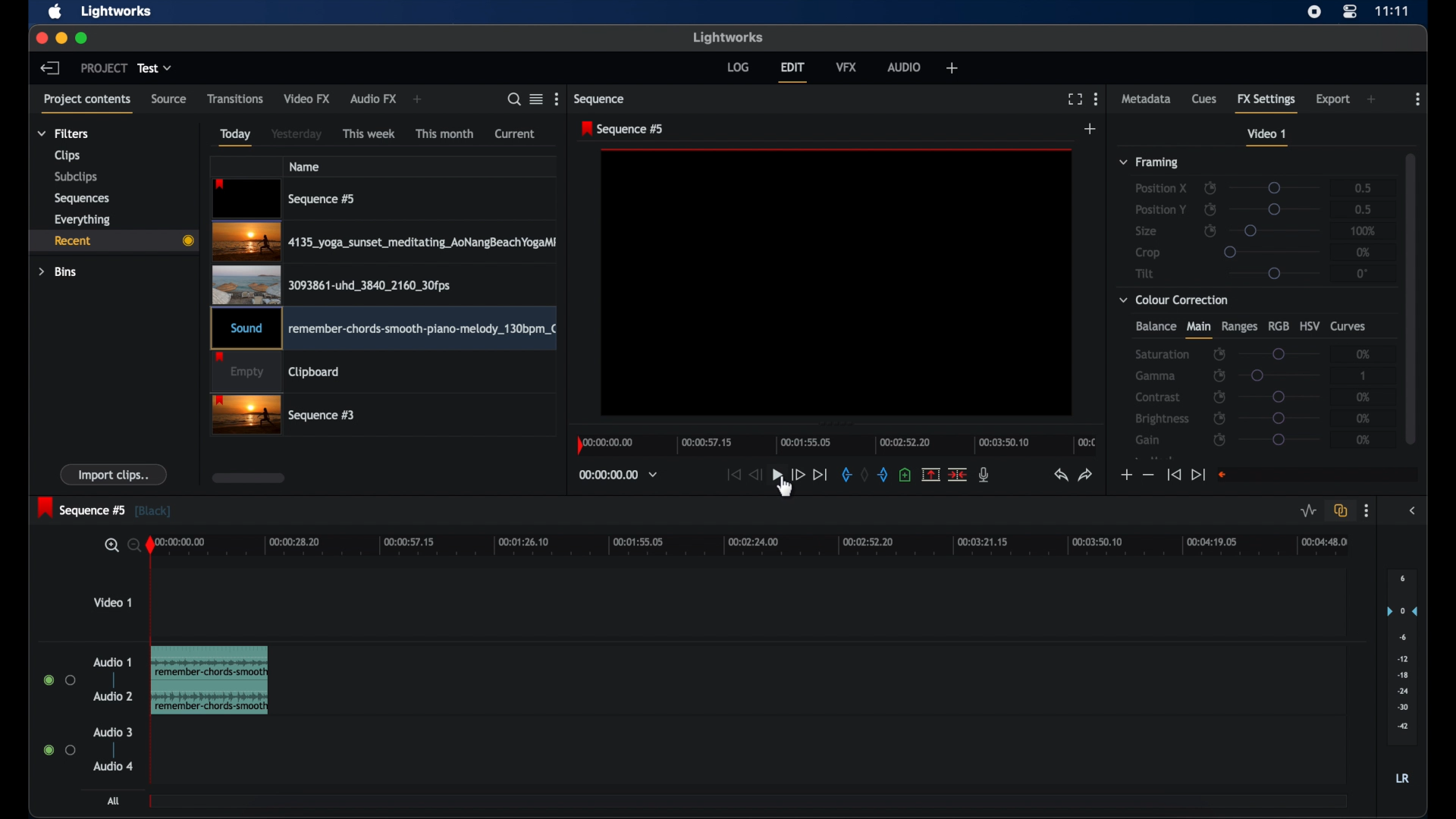 This screenshot has height=819, width=1456. I want to click on minimize, so click(61, 39).